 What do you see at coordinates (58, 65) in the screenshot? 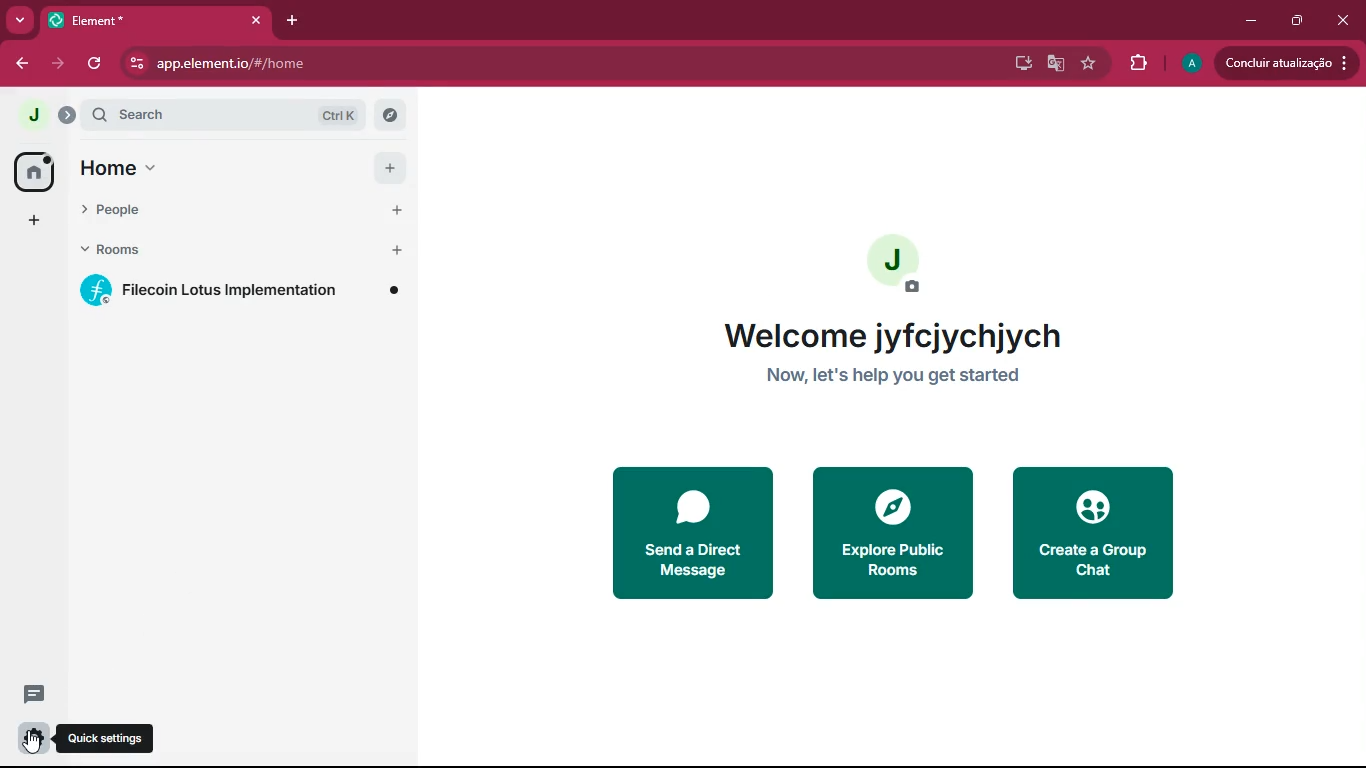
I see `forward` at bounding box center [58, 65].